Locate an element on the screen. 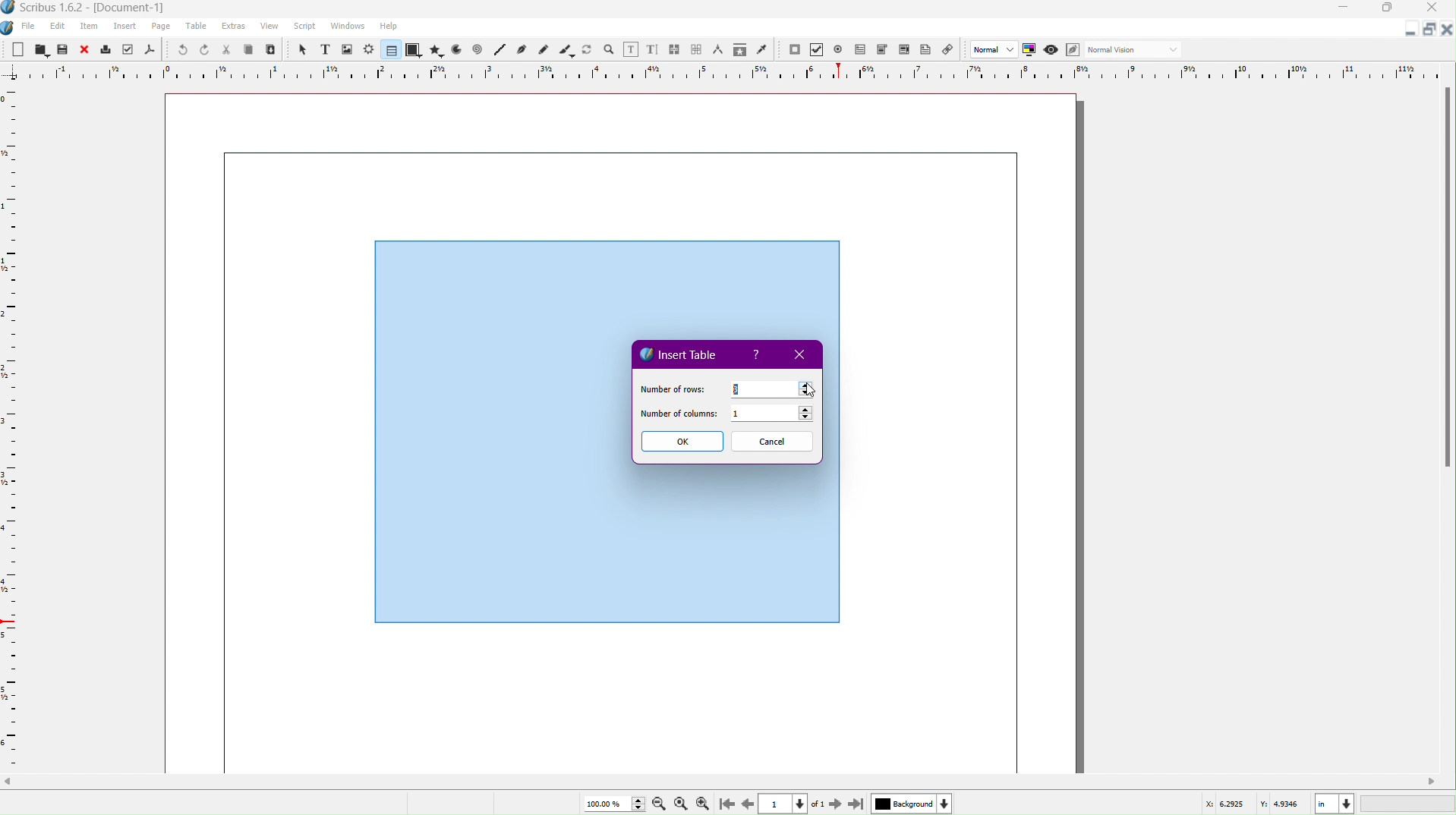 The width and height of the screenshot is (1456, 815). Redo is located at coordinates (205, 50).